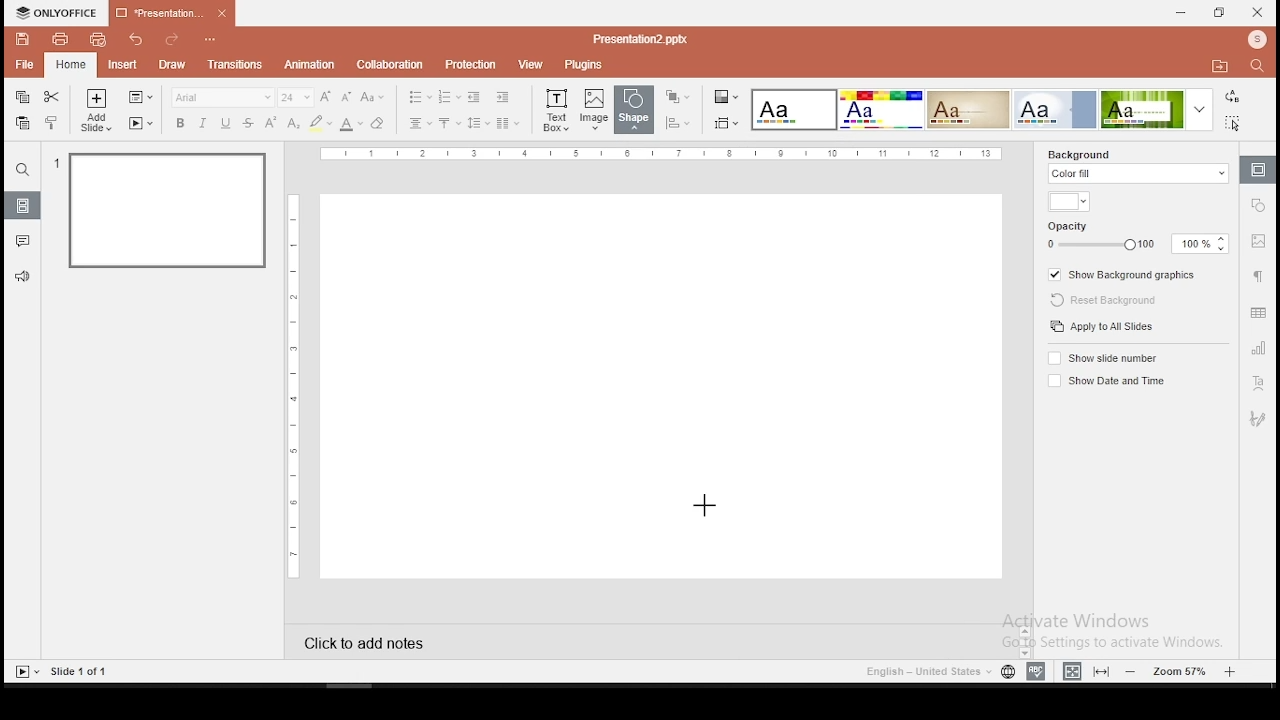 The image size is (1280, 720). What do you see at coordinates (1259, 204) in the screenshot?
I see `shape settings` at bounding box center [1259, 204].